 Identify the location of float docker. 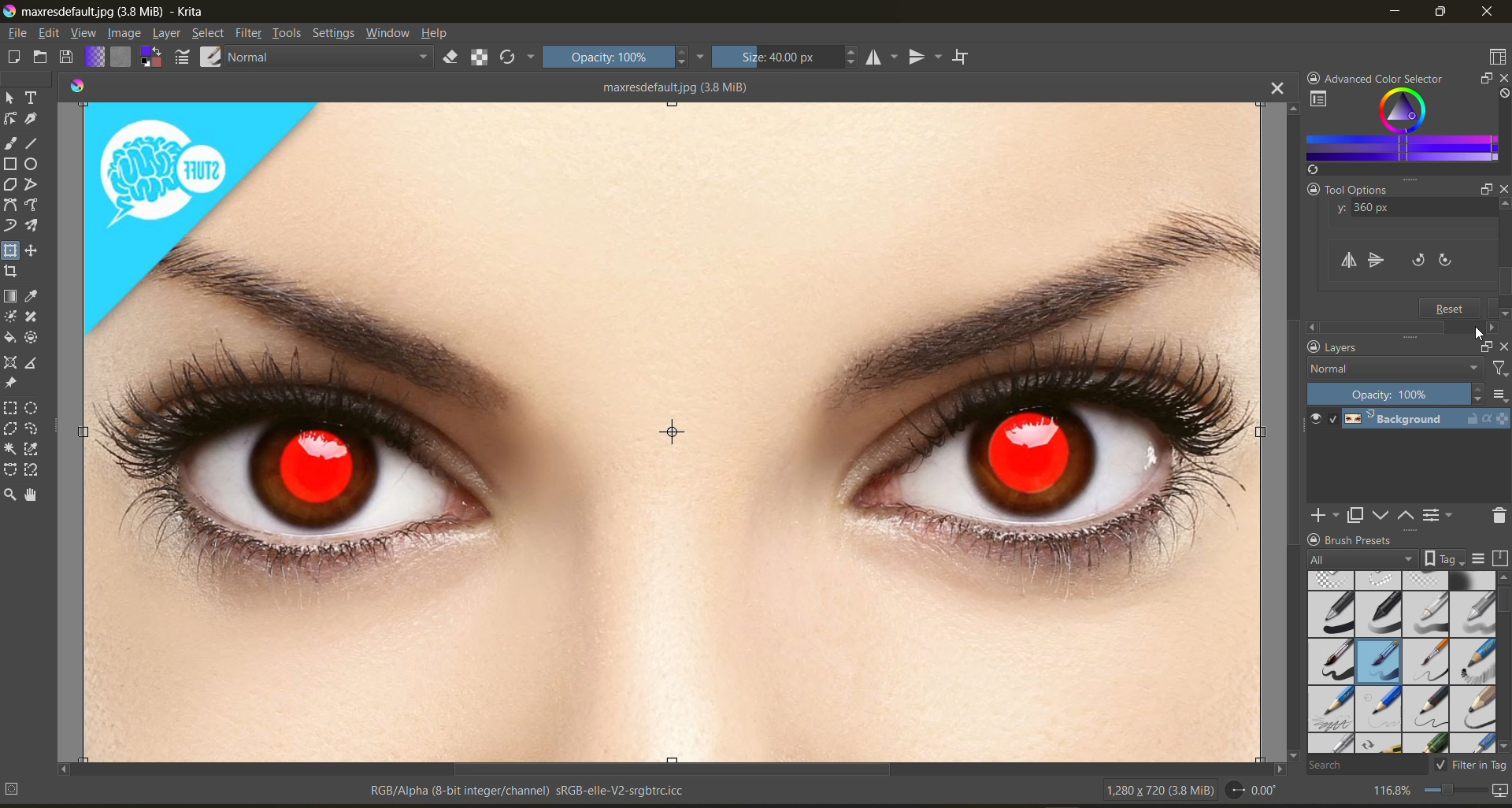
(1484, 80).